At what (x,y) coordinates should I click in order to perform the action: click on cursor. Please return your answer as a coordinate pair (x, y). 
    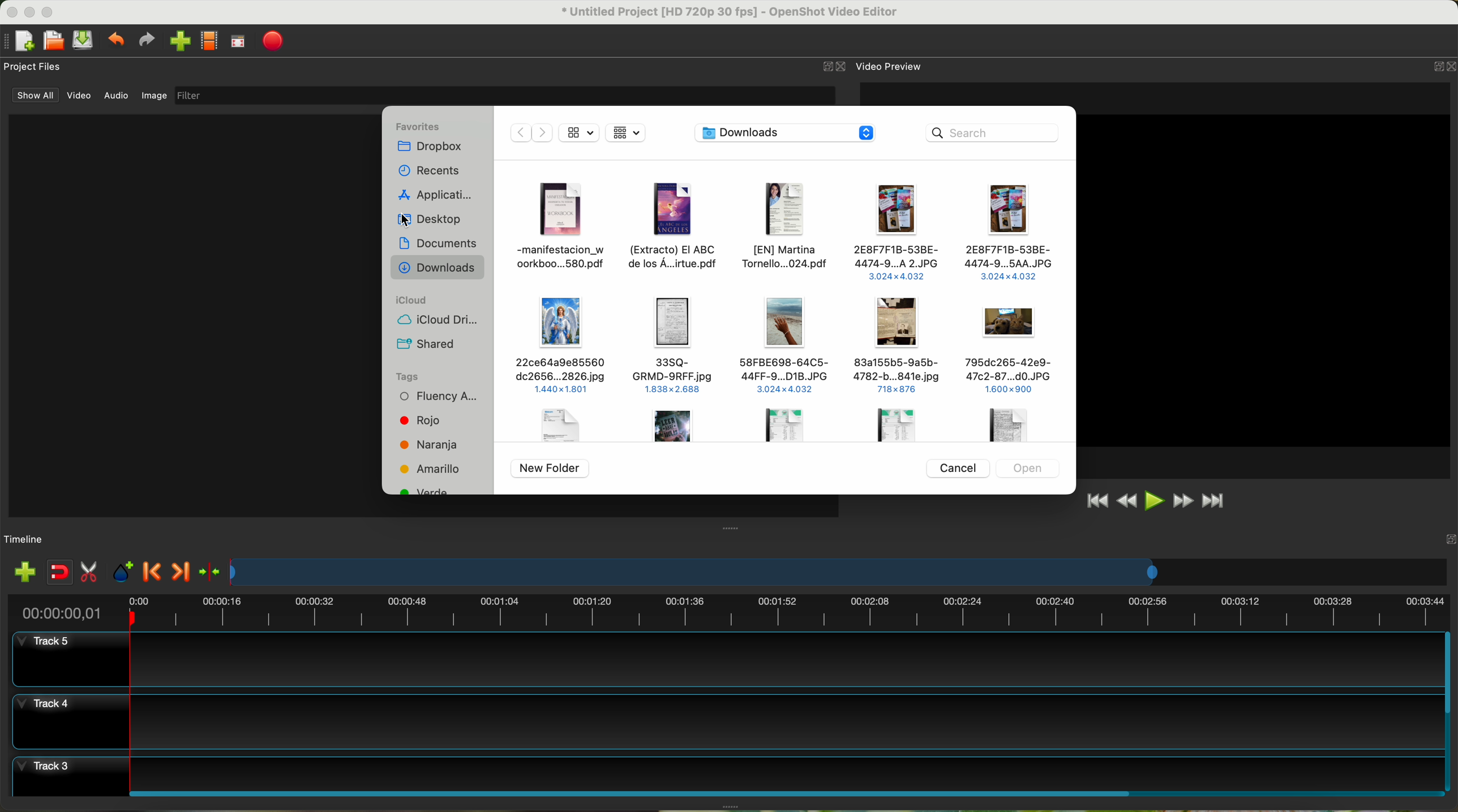
    Looking at the image, I should click on (415, 221).